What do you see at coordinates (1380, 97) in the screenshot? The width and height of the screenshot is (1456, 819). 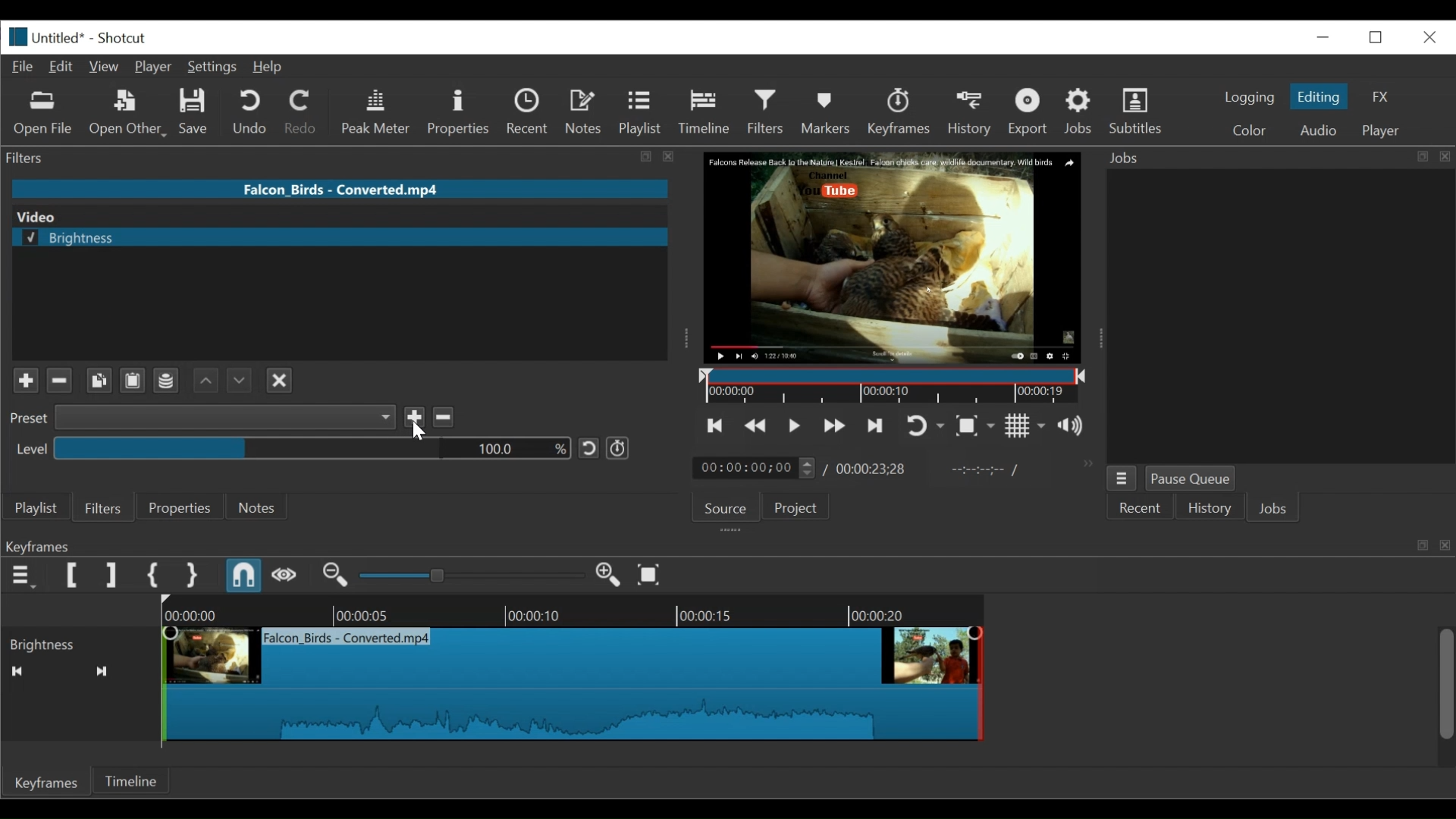 I see `FX` at bounding box center [1380, 97].